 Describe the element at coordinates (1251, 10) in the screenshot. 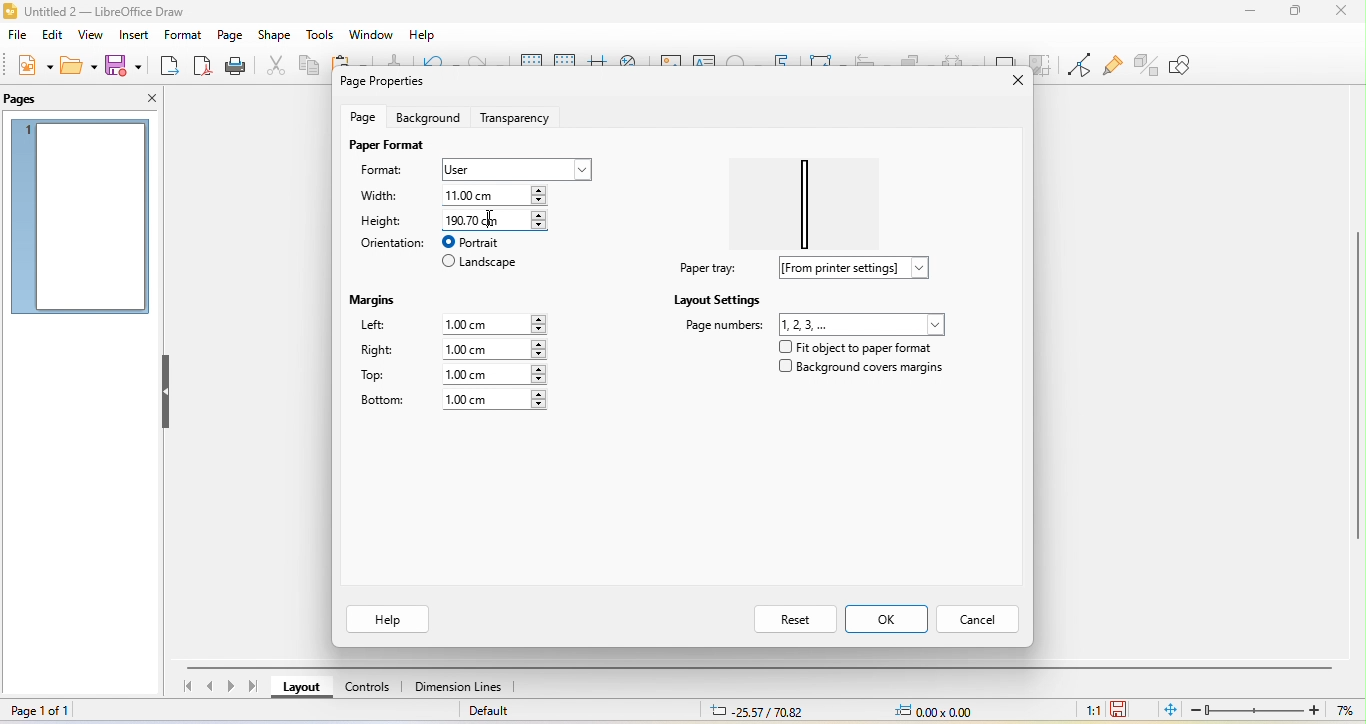

I see `minimize` at that location.